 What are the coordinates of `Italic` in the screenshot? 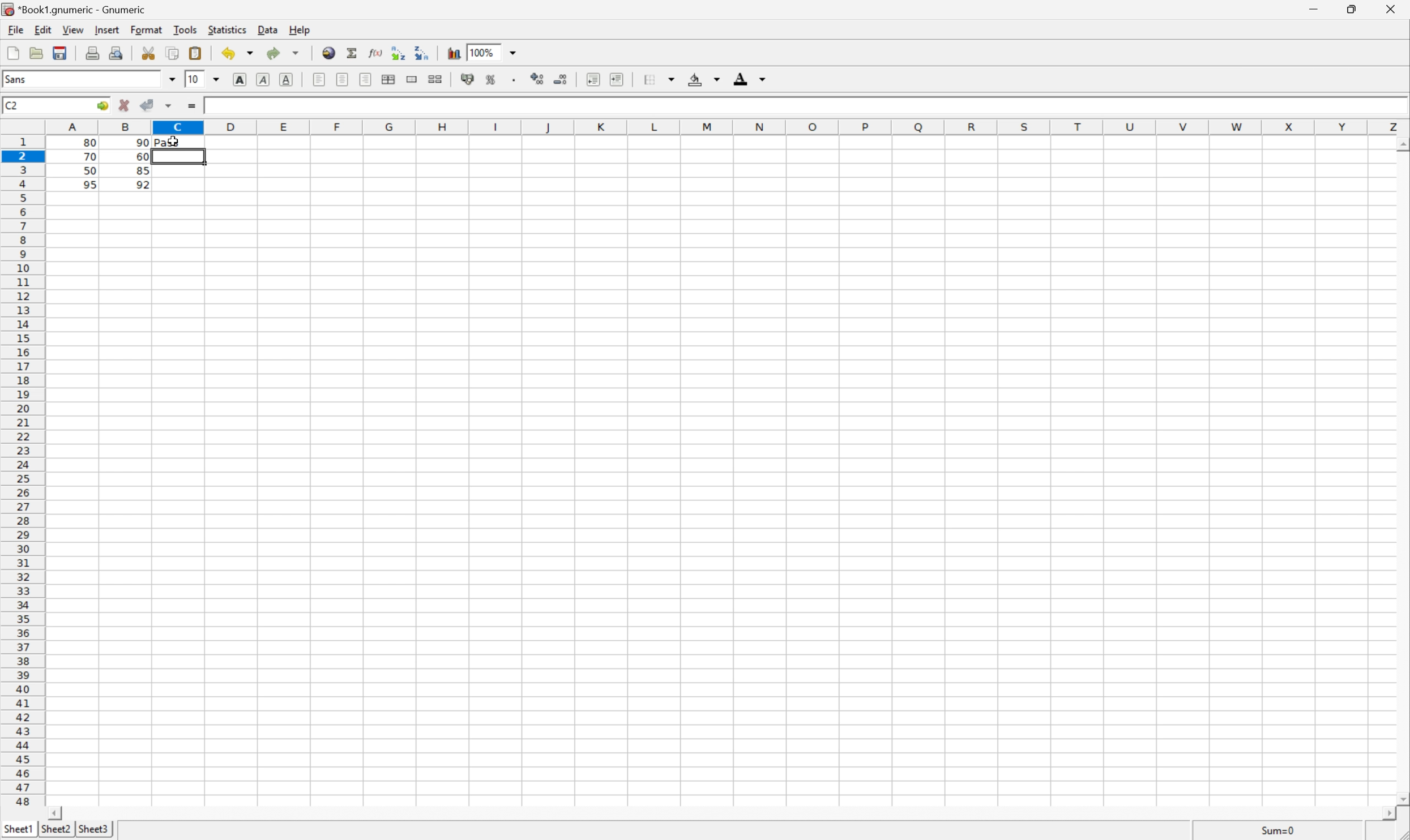 It's located at (264, 79).